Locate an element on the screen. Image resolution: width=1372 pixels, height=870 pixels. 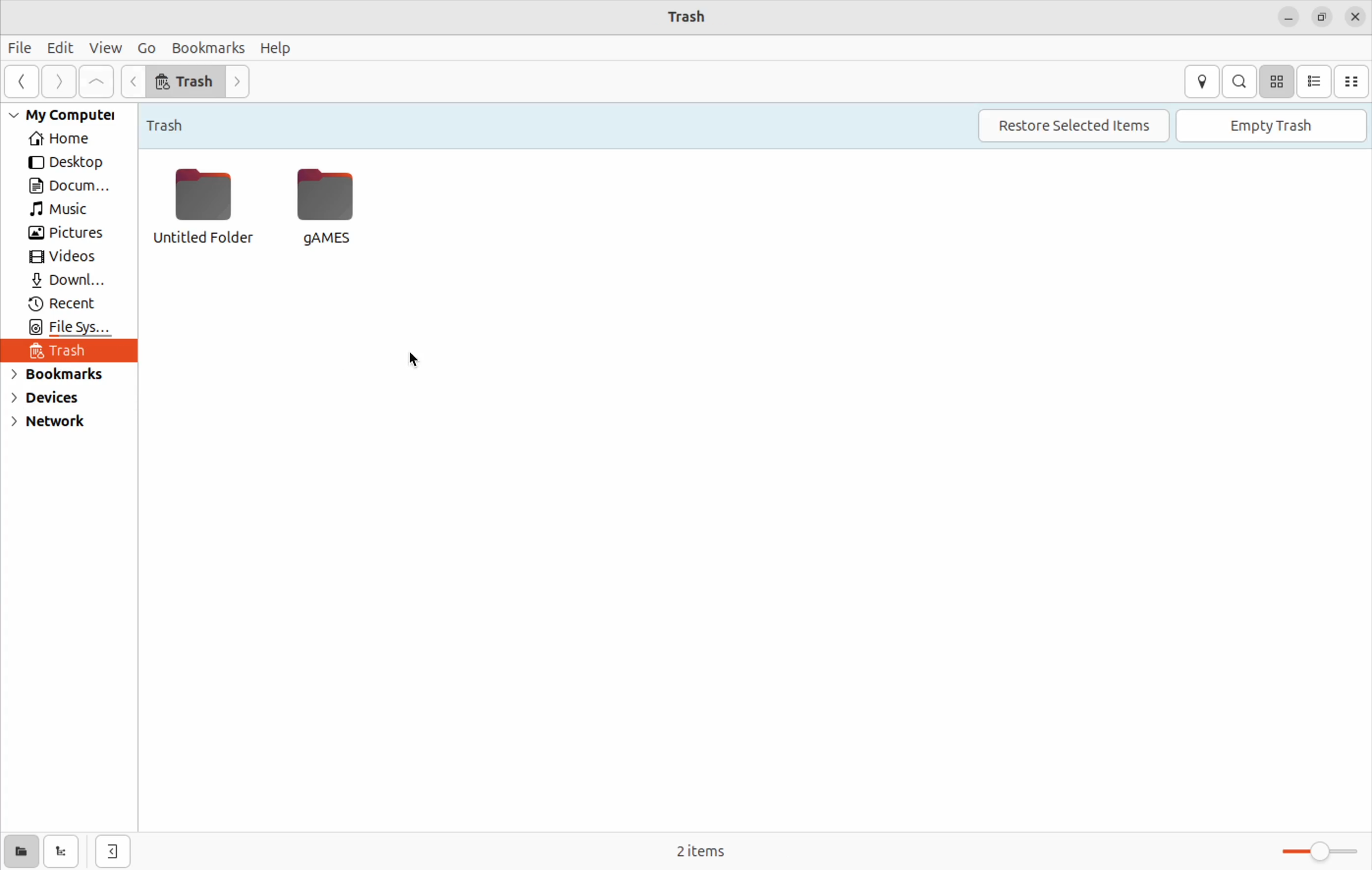
trash is located at coordinates (186, 81).